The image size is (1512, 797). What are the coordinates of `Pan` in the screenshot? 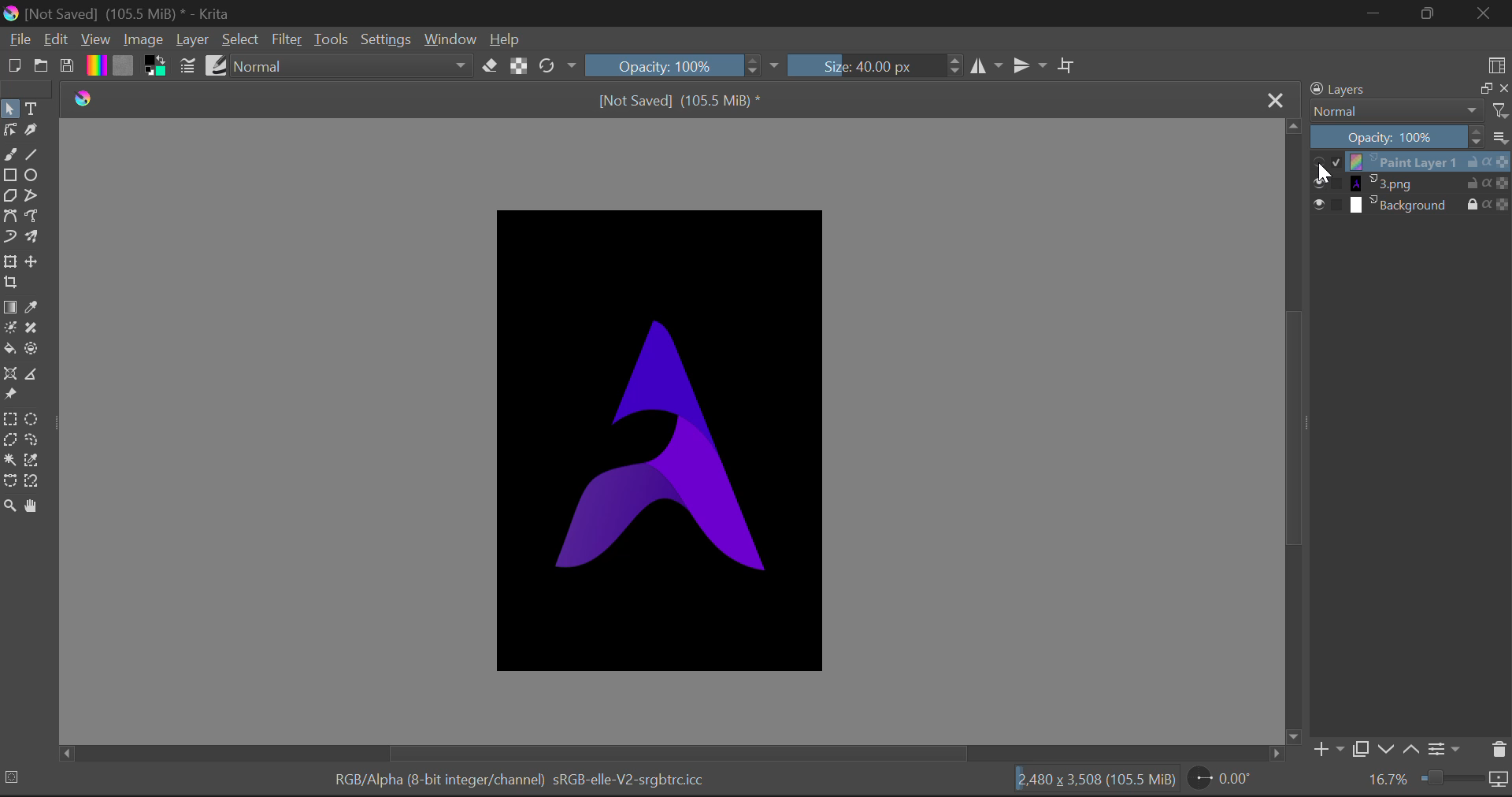 It's located at (34, 506).